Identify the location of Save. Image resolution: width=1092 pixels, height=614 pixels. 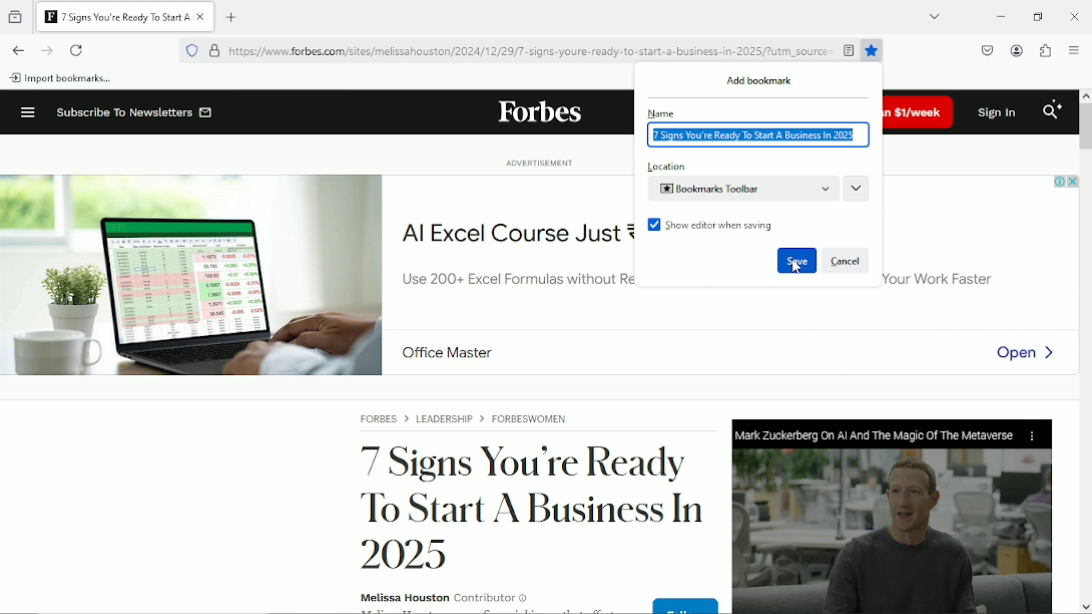
(796, 261).